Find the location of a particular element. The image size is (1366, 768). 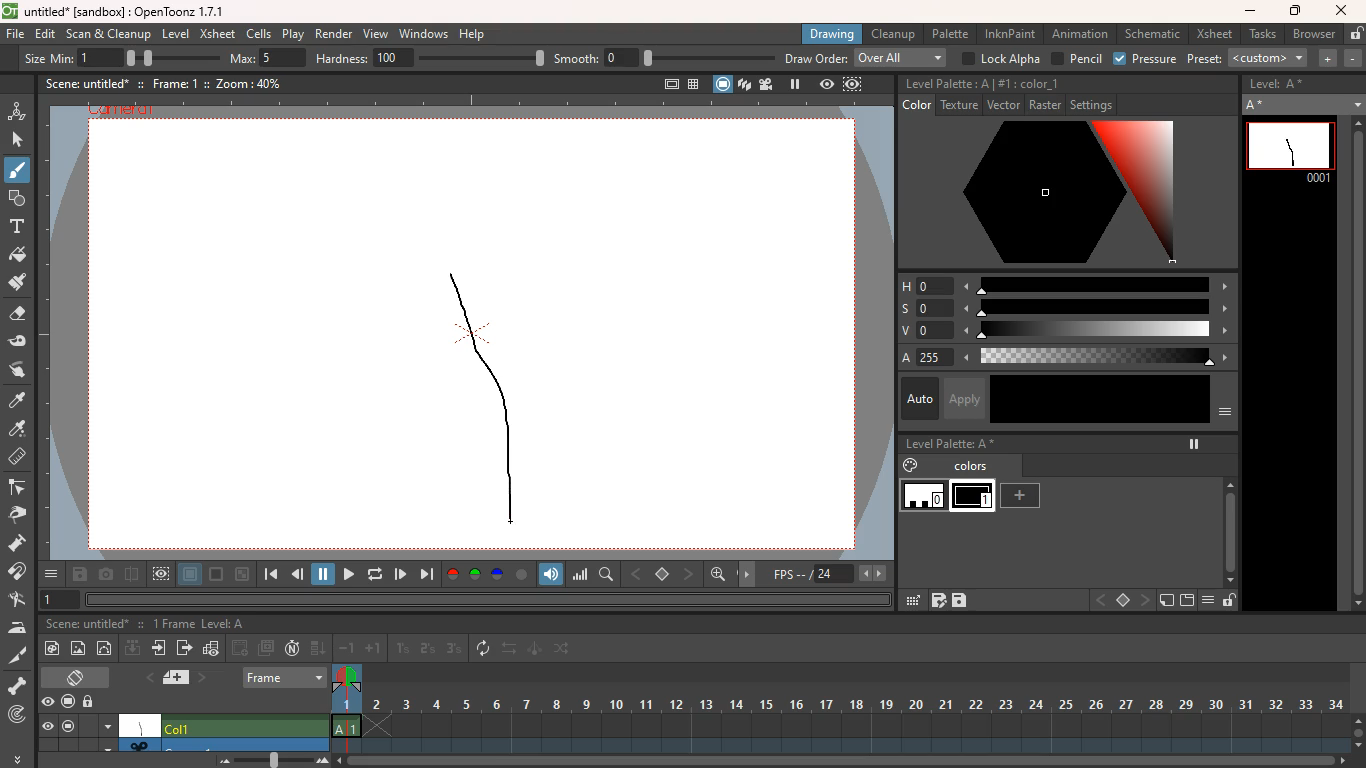

green is located at coordinates (476, 575).